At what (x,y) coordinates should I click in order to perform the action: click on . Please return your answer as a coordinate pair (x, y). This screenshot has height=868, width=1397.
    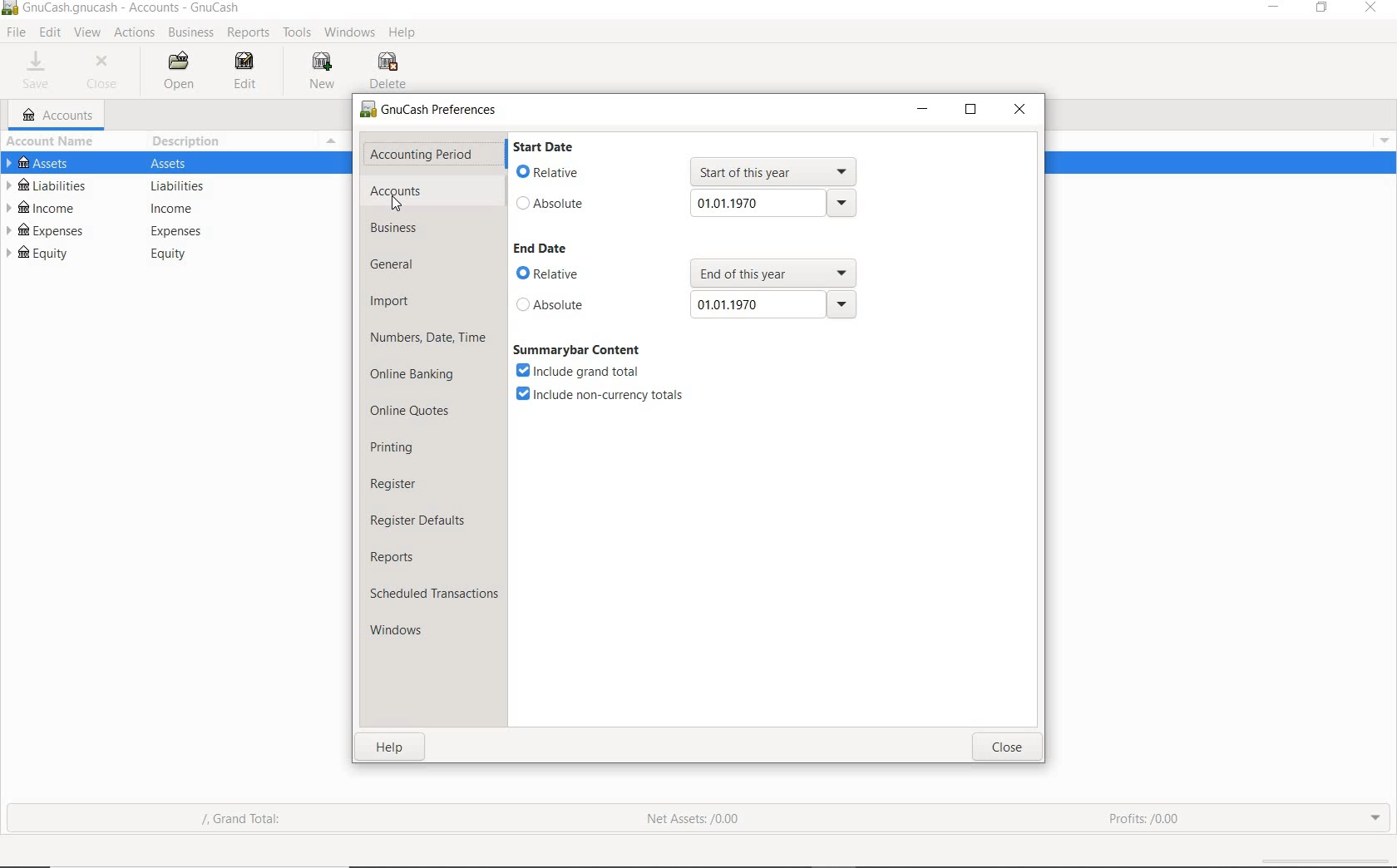
    Looking at the image, I should click on (1382, 141).